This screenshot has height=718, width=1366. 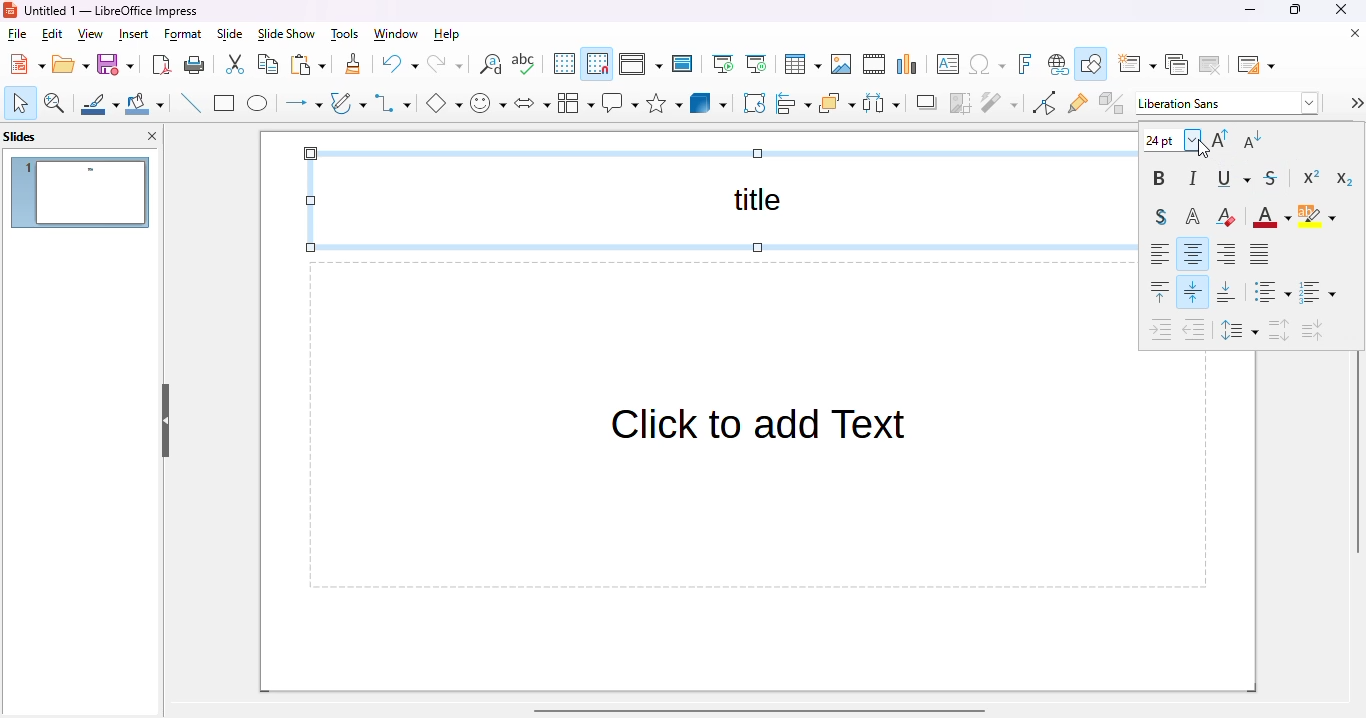 I want to click on center vertically, so click(x=1193, y=292).